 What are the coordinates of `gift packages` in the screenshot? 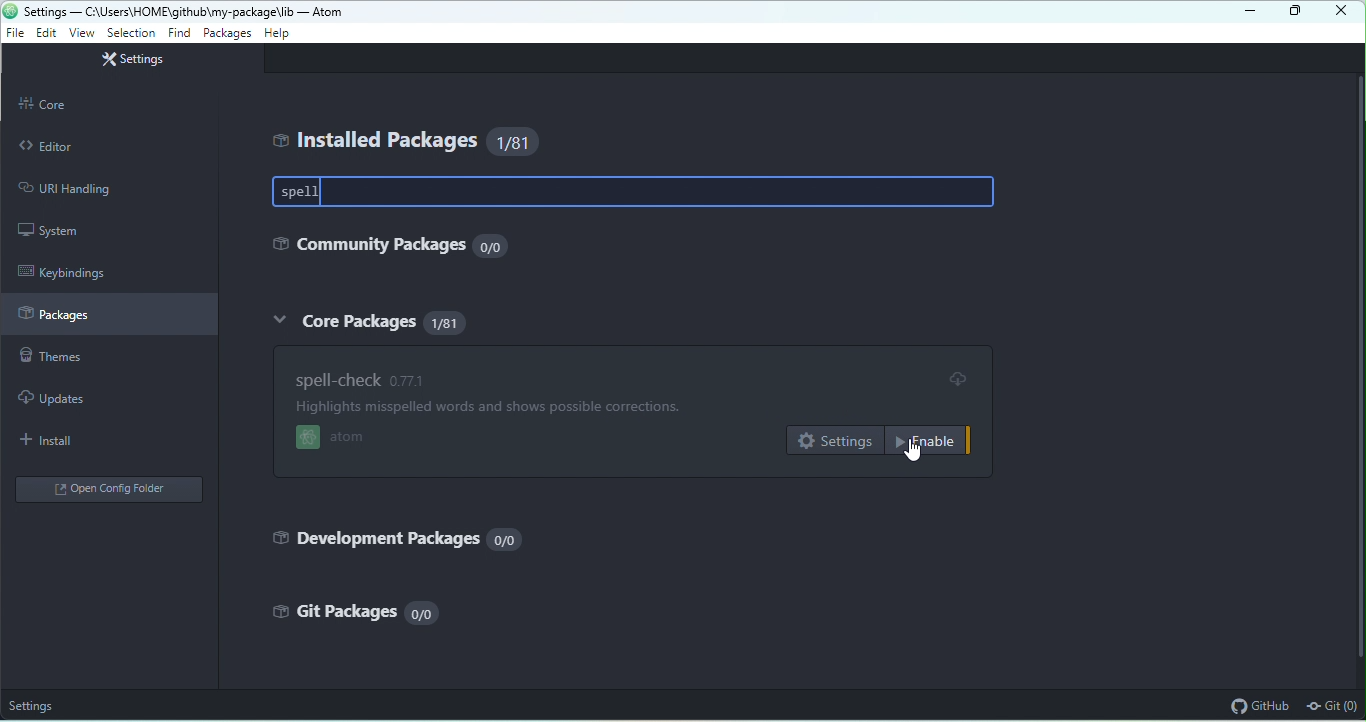 It's located at (335, 612).